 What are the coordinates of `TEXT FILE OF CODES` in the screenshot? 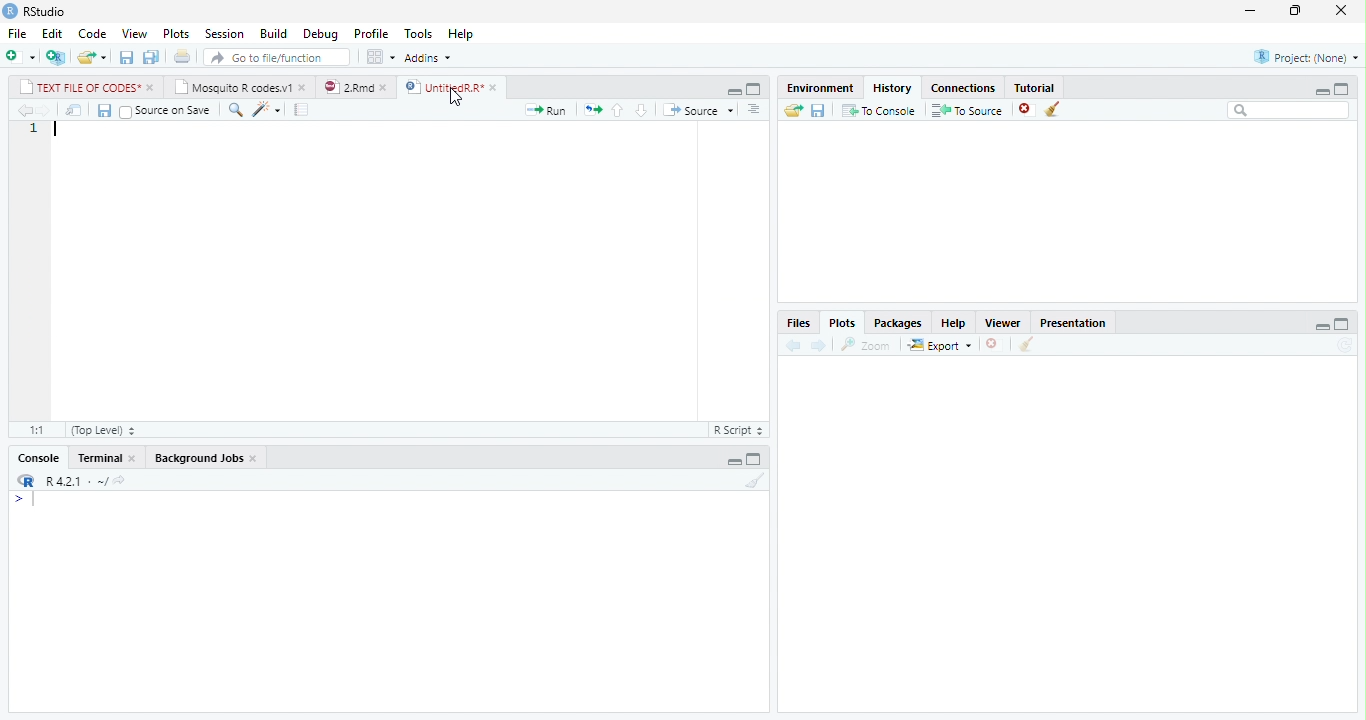 It's located at (76, 87).